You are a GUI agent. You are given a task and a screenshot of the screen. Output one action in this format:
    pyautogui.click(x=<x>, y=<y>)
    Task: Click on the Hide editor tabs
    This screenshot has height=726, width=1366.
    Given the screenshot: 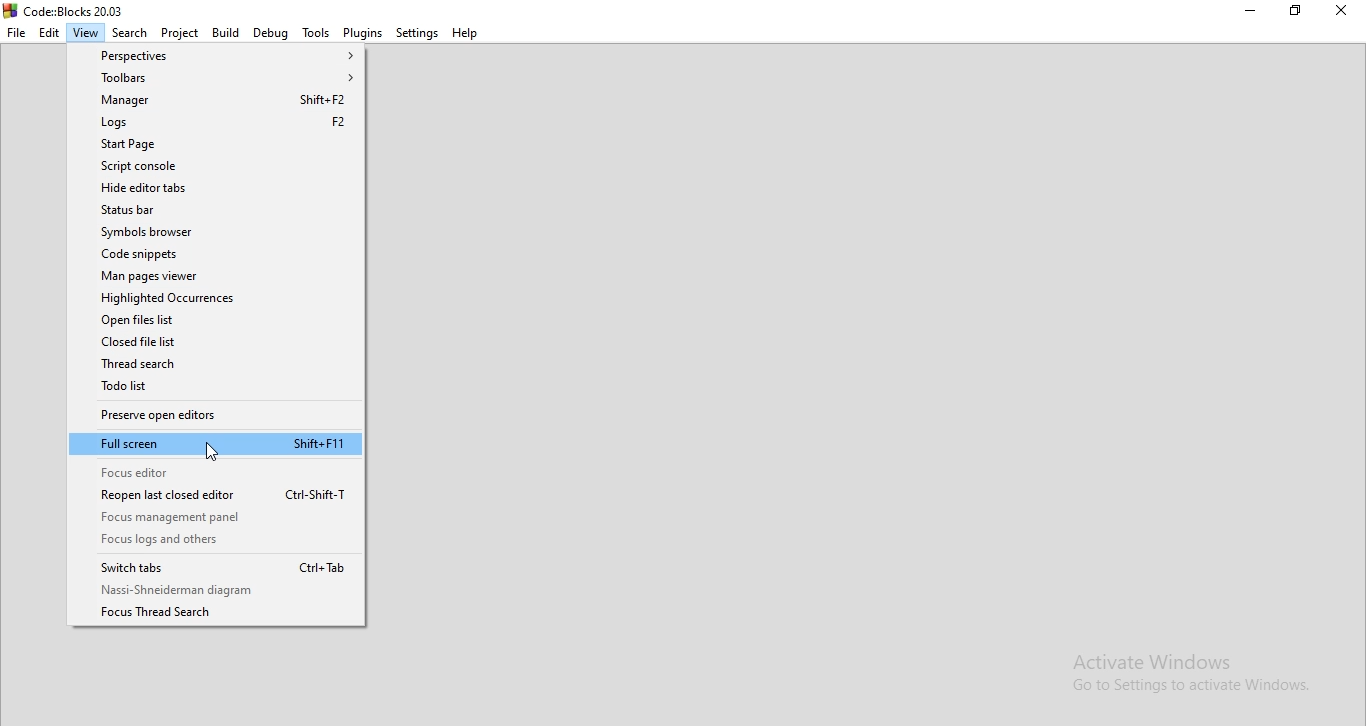 What is the action you would take?
    pyautogui.click(x=214, y=189)
    